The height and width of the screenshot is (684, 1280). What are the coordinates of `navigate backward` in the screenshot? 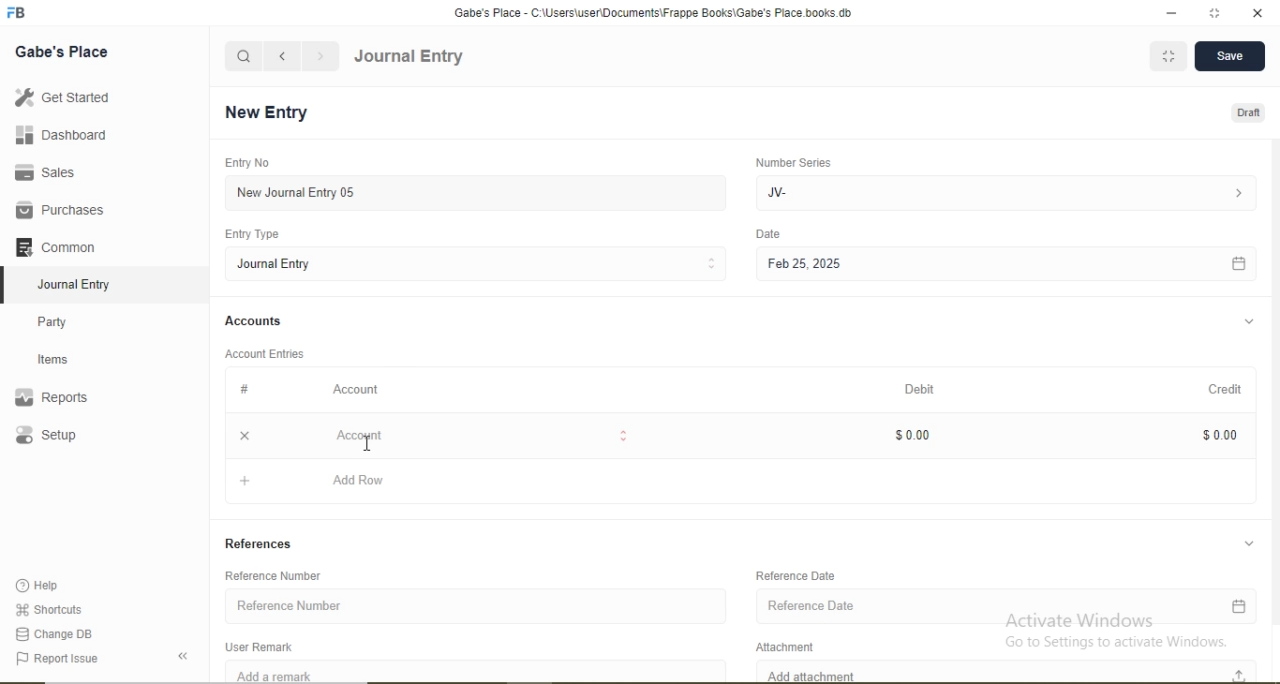 It's located at (281, 56).